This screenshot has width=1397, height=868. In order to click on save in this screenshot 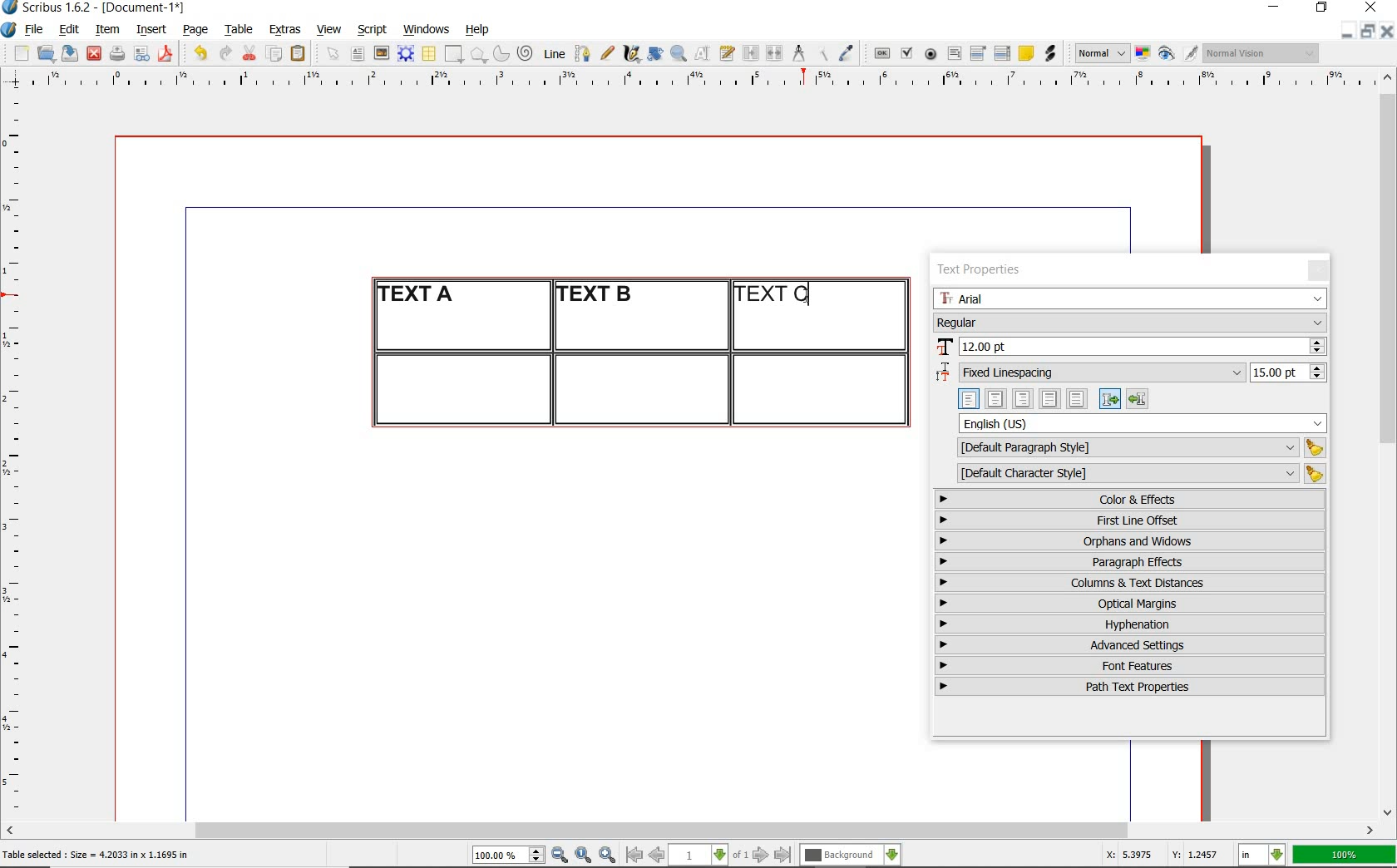, I will do `click(67, 53)`.